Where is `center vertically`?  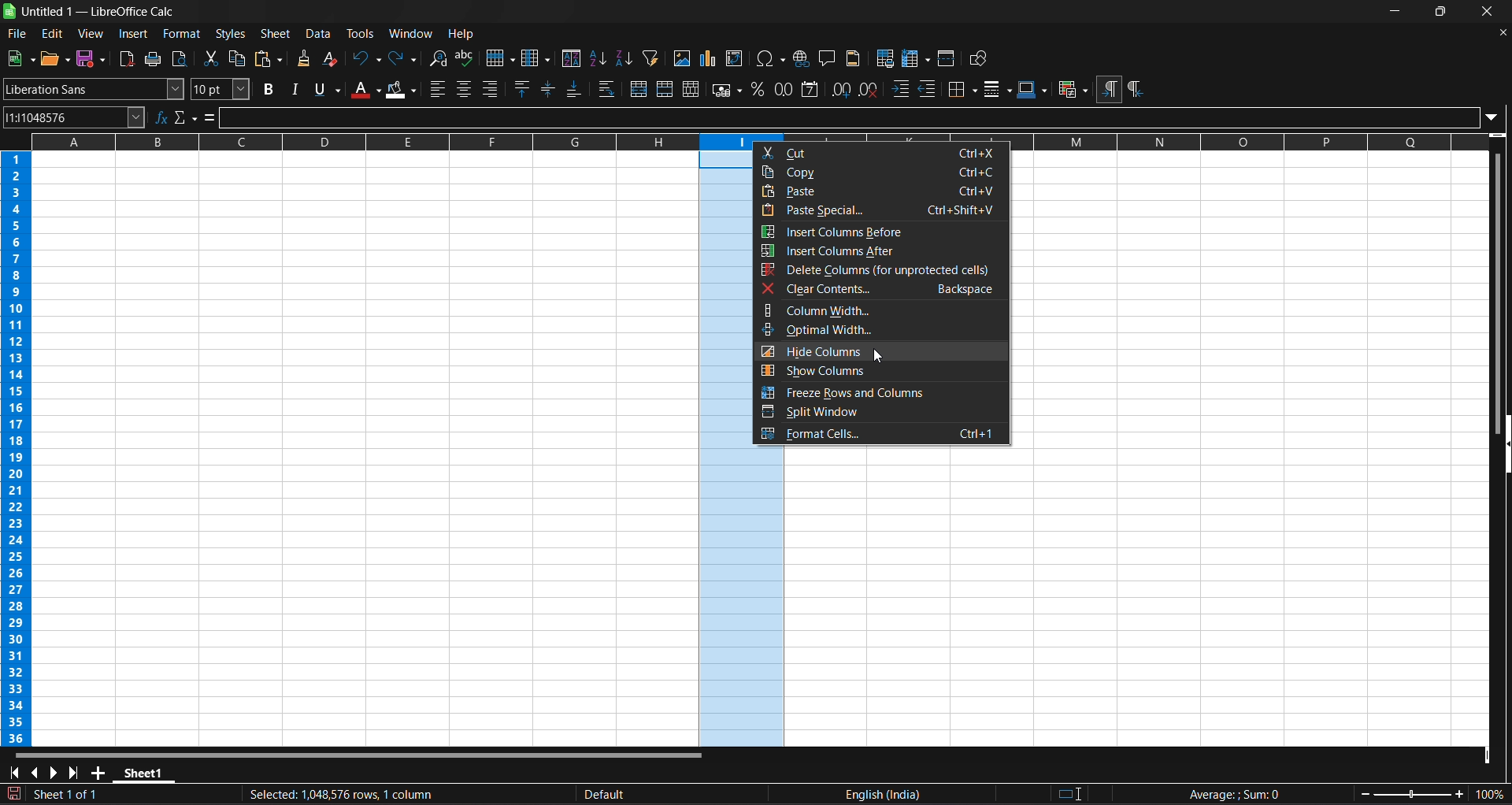
center vertically is located at coordinates (550, 89).